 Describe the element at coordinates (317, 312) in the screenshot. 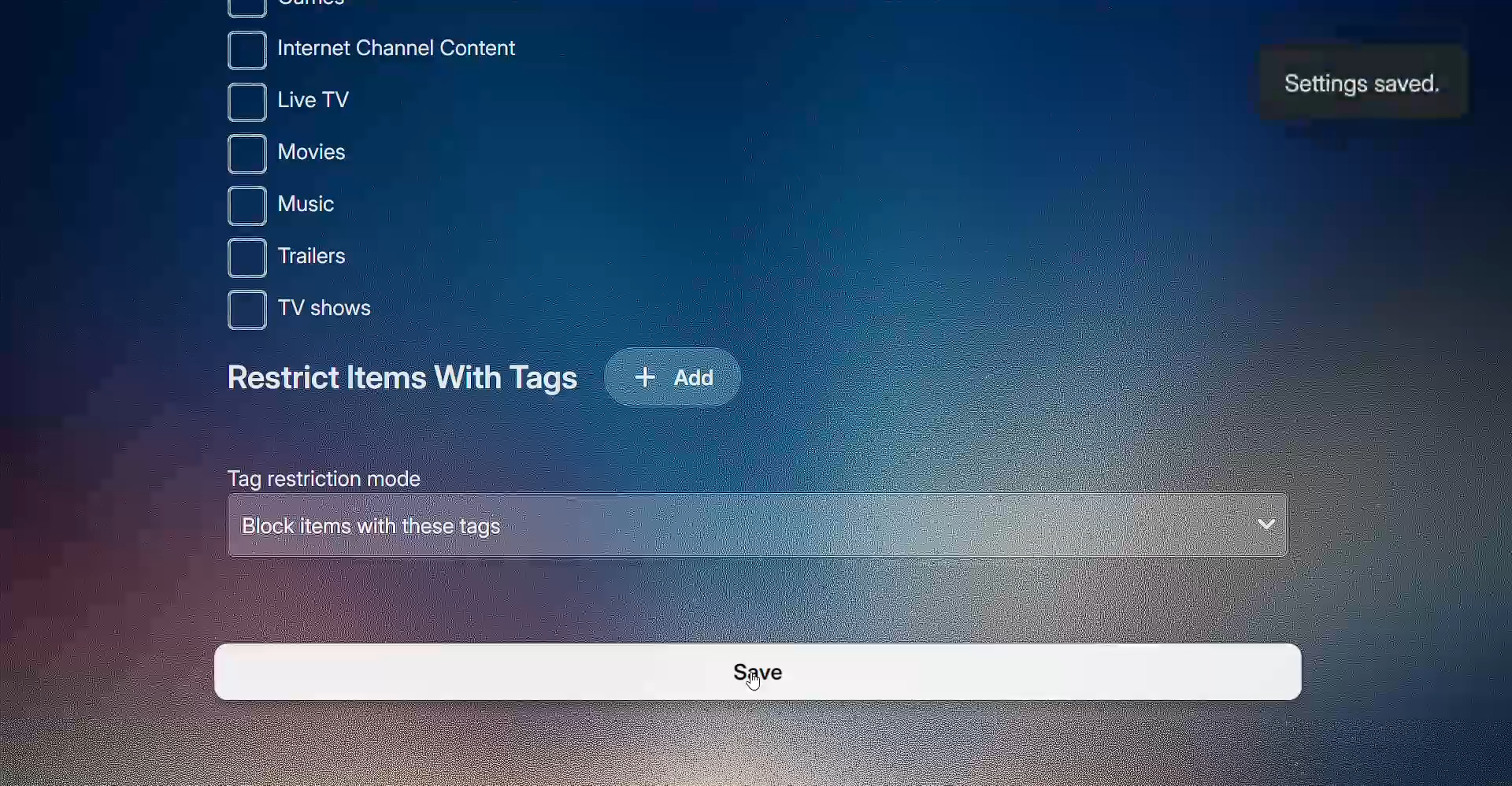

I see `TV shows` at that location.